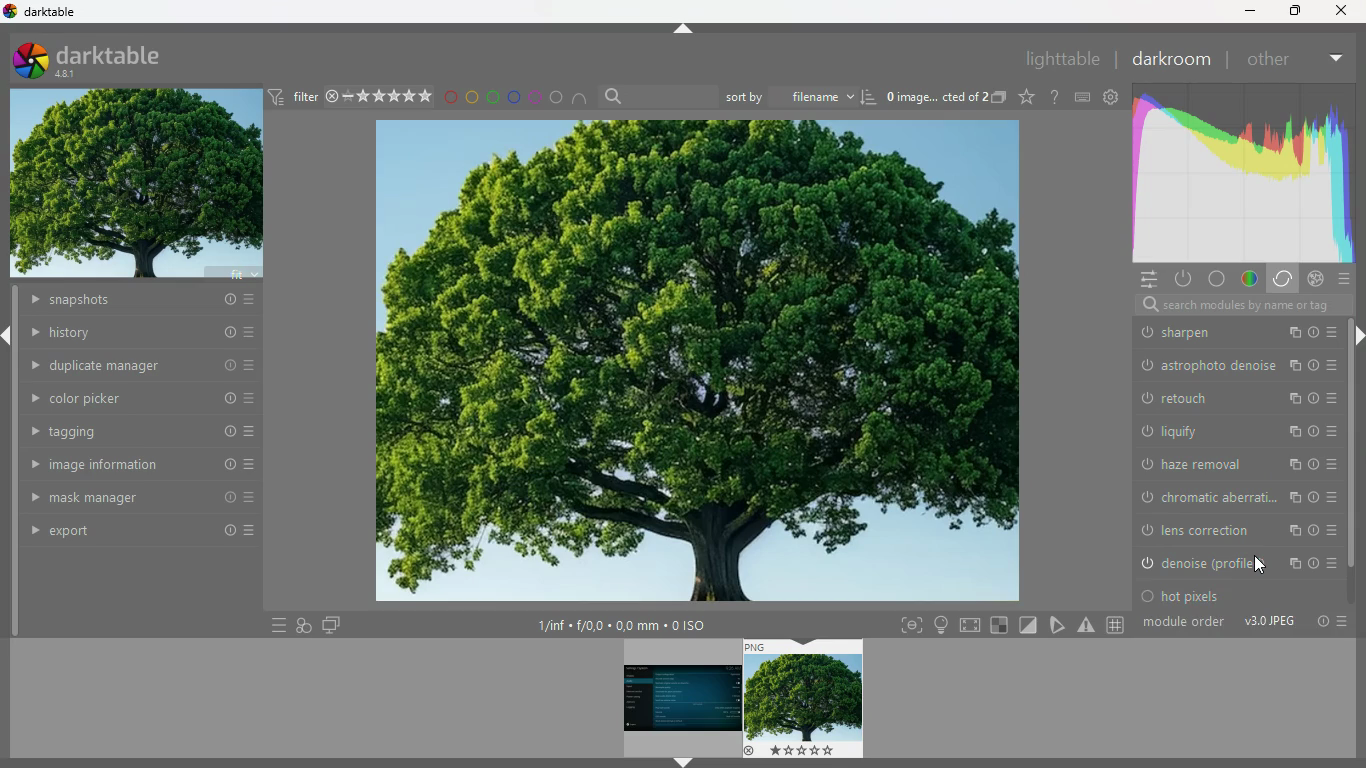 The width and height of the screenshot is (1366, 768). I want to click on power, so click(1292, 528).